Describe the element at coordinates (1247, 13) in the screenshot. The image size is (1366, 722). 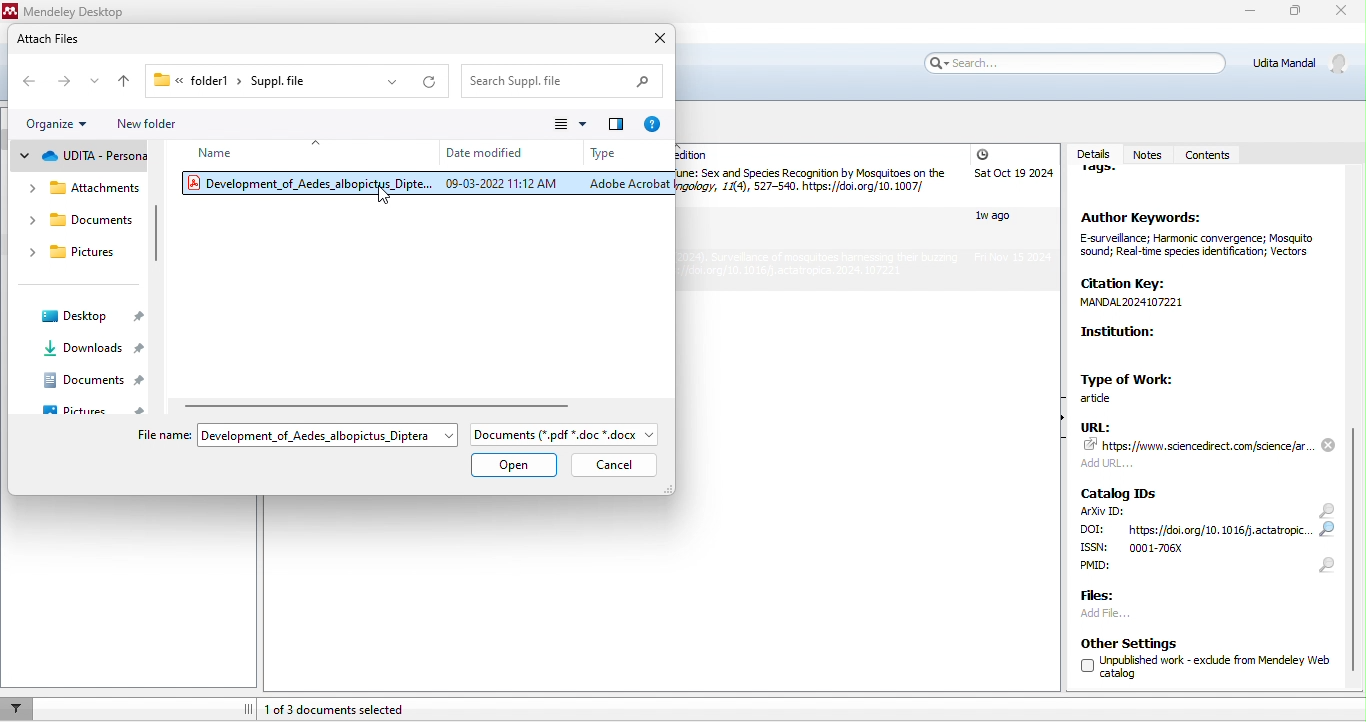
I see `minimize` at that location.